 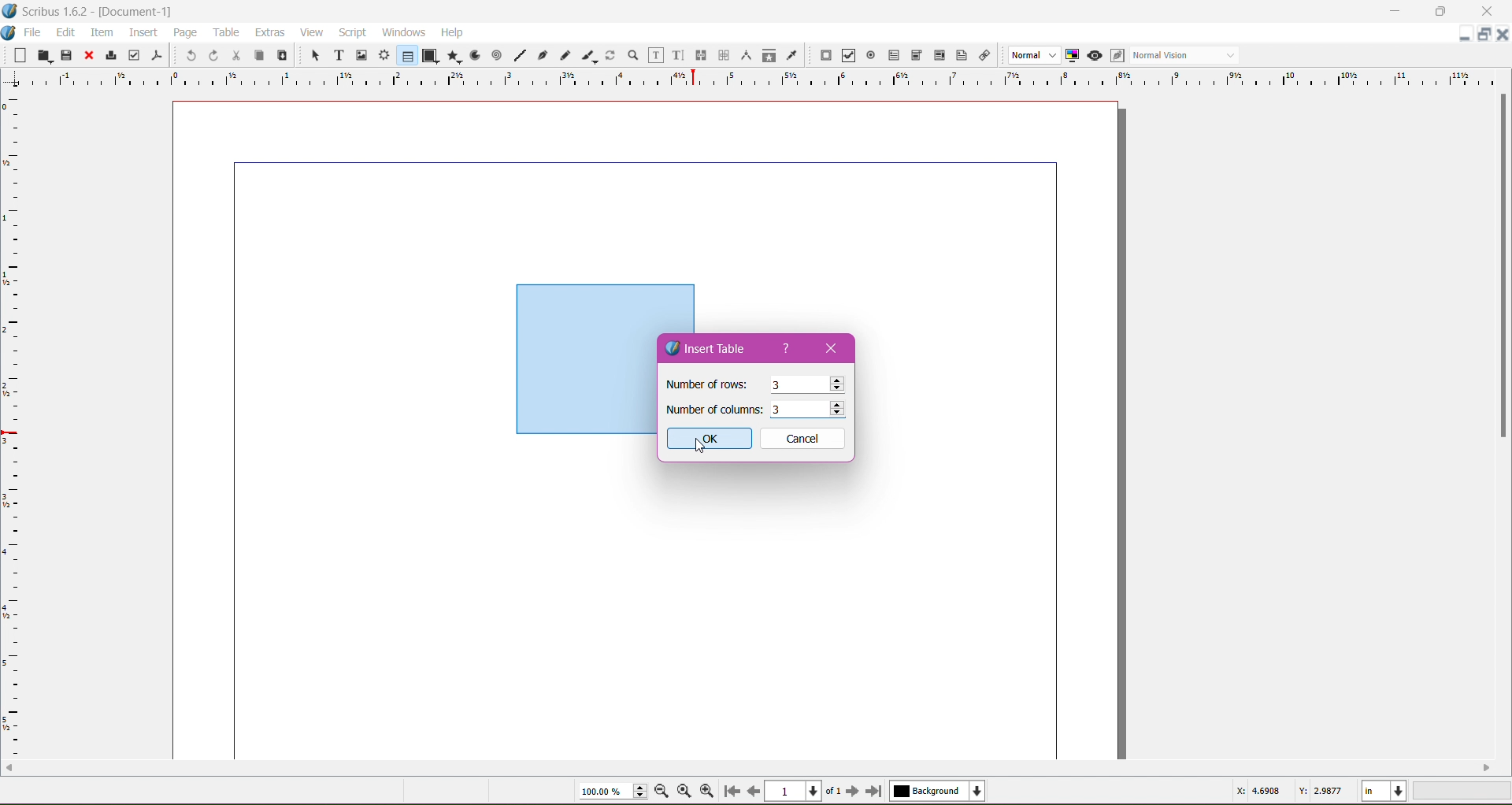 What do you see at coordinates (686, 792) in the screenshot?
I see `Zoom to 100%` at bounding box center [686, 792].